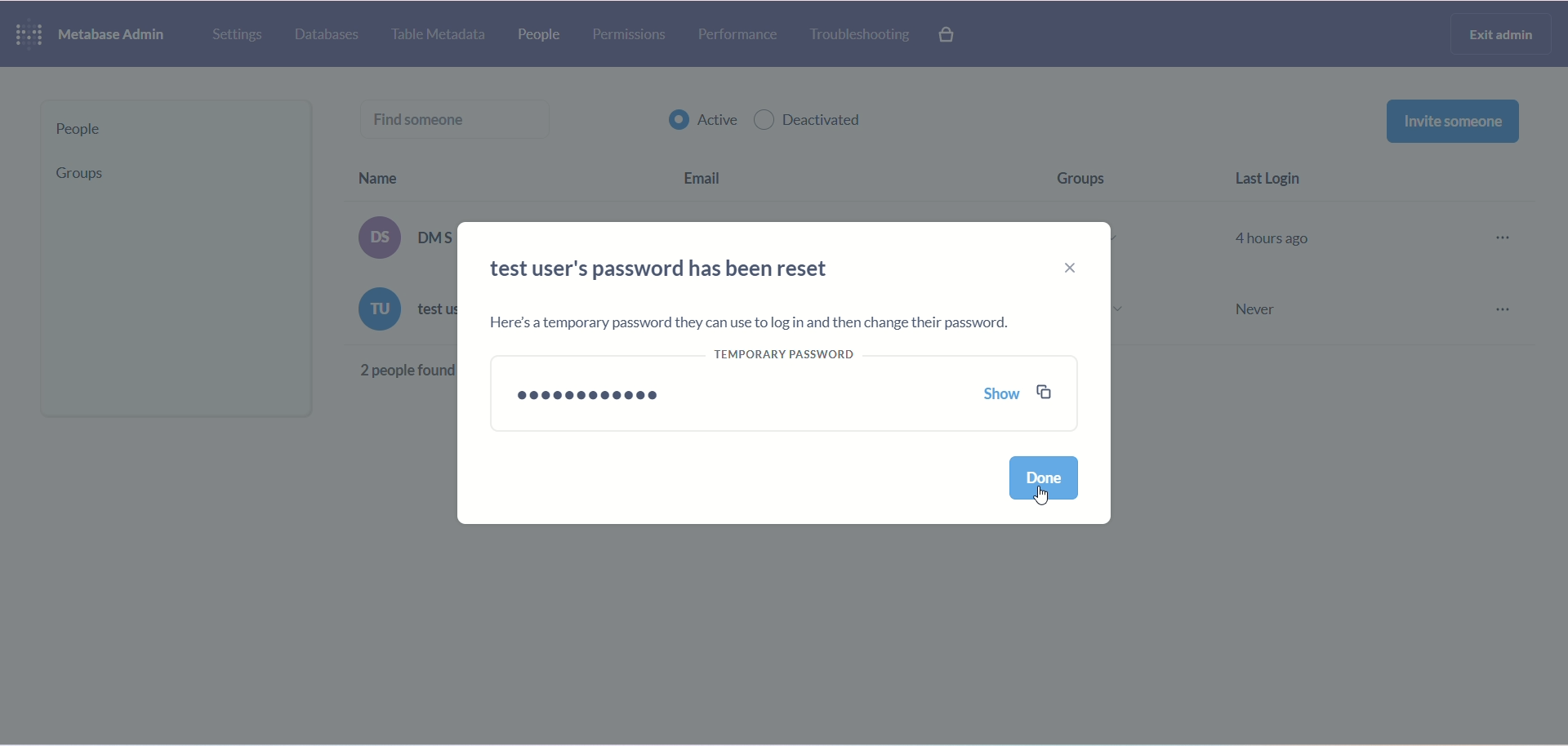 The width and height of the screenshot is (1568, 746). I want to click on find someone, so click(462, 117).